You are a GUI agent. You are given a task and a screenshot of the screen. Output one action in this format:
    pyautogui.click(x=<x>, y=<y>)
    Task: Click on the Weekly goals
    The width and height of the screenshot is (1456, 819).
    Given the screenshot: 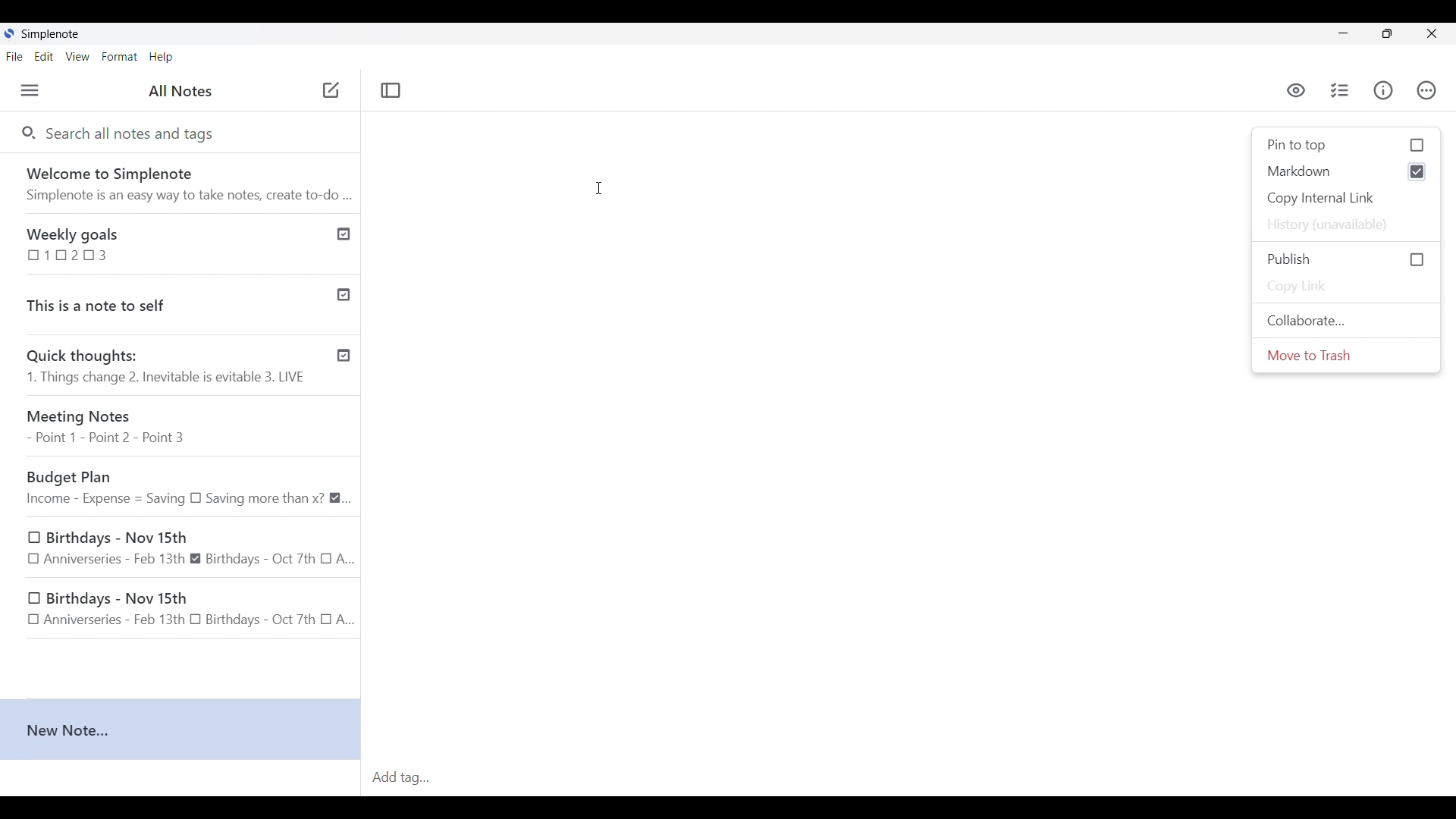 What is the action you would take?
    pyautogui.click(x=162, y=243)
    